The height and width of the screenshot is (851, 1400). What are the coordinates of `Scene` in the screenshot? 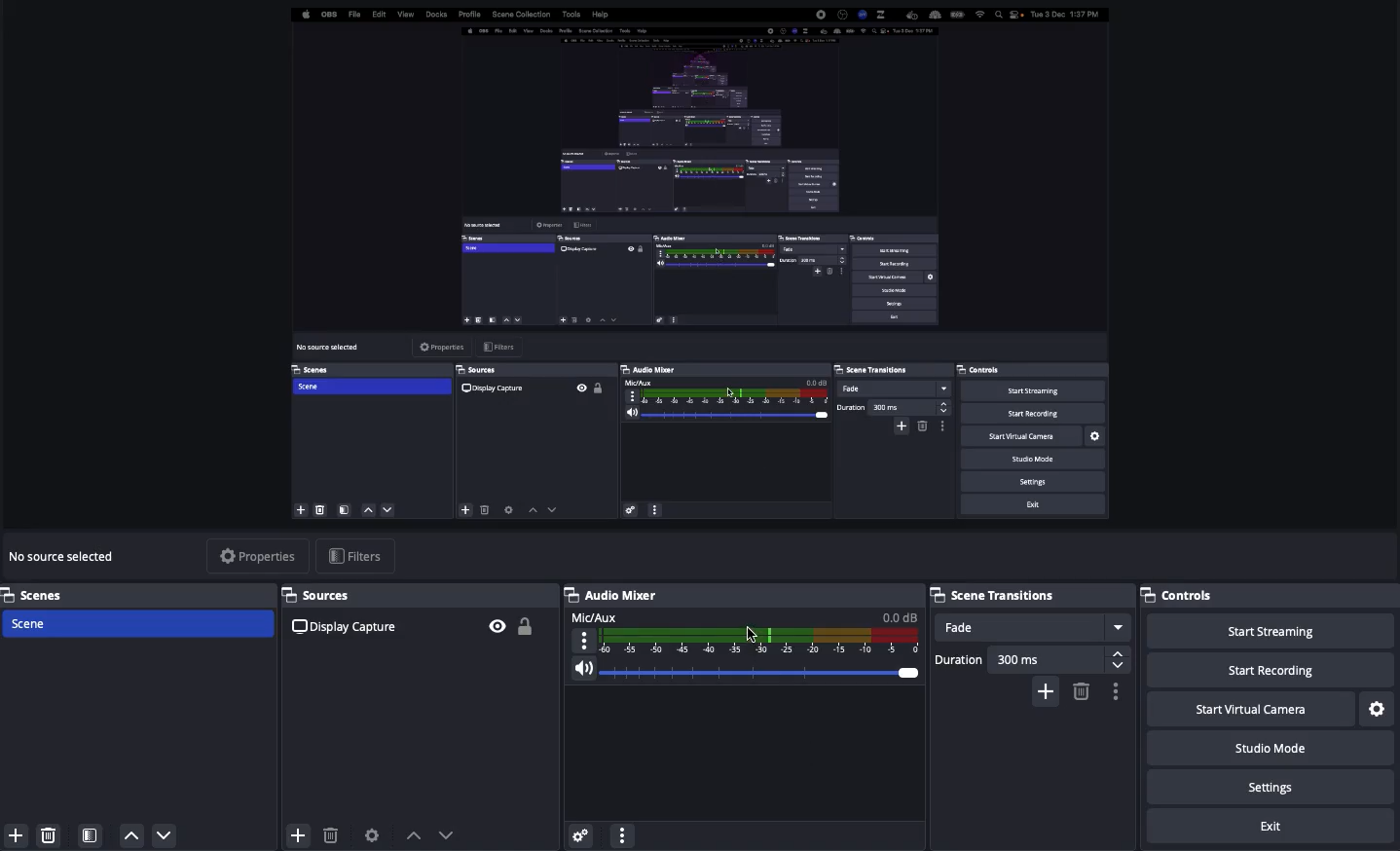 It's located at (139, 625).